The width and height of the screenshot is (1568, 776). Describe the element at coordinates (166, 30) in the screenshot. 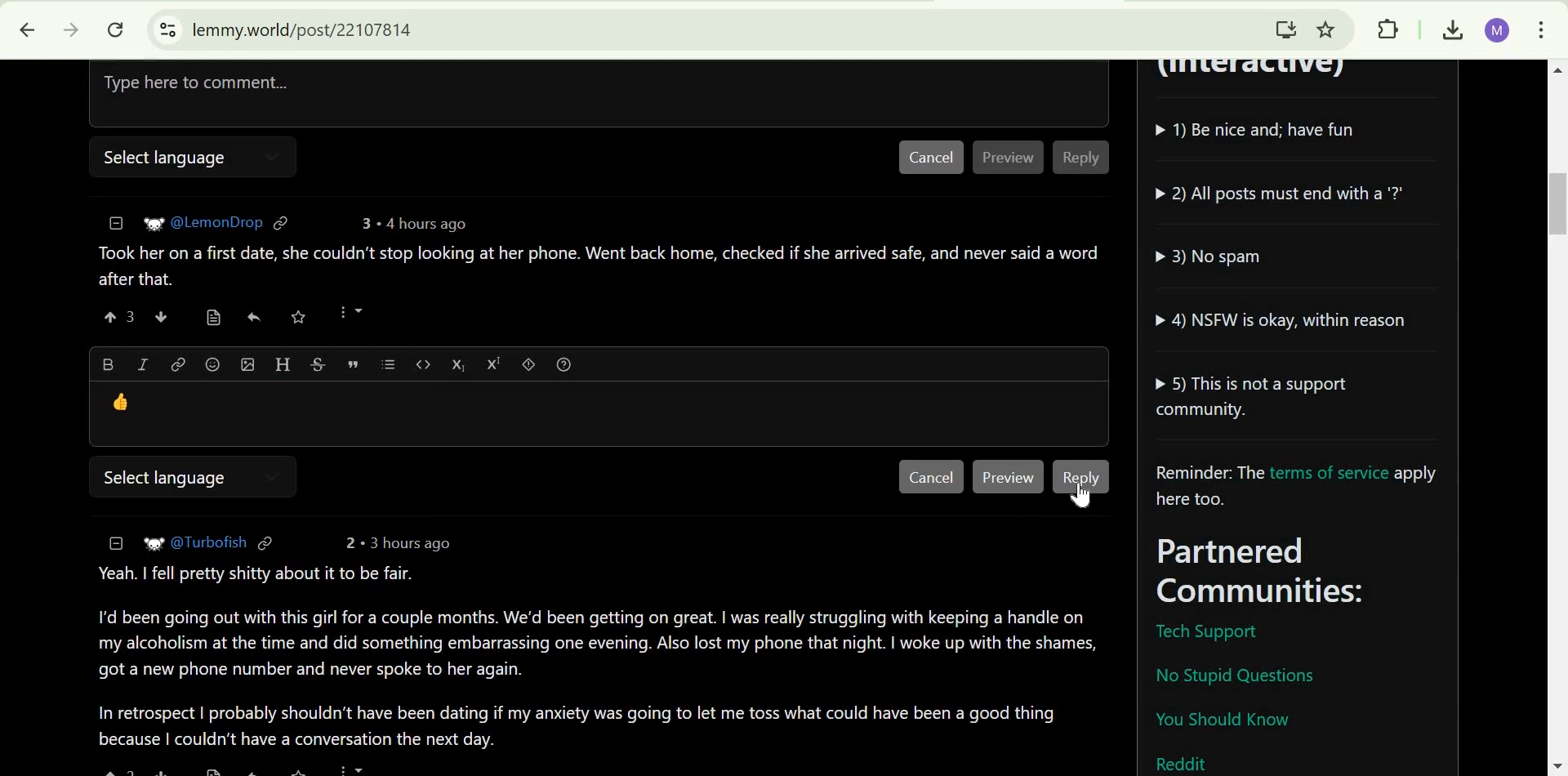

I see `View site information` at that location.